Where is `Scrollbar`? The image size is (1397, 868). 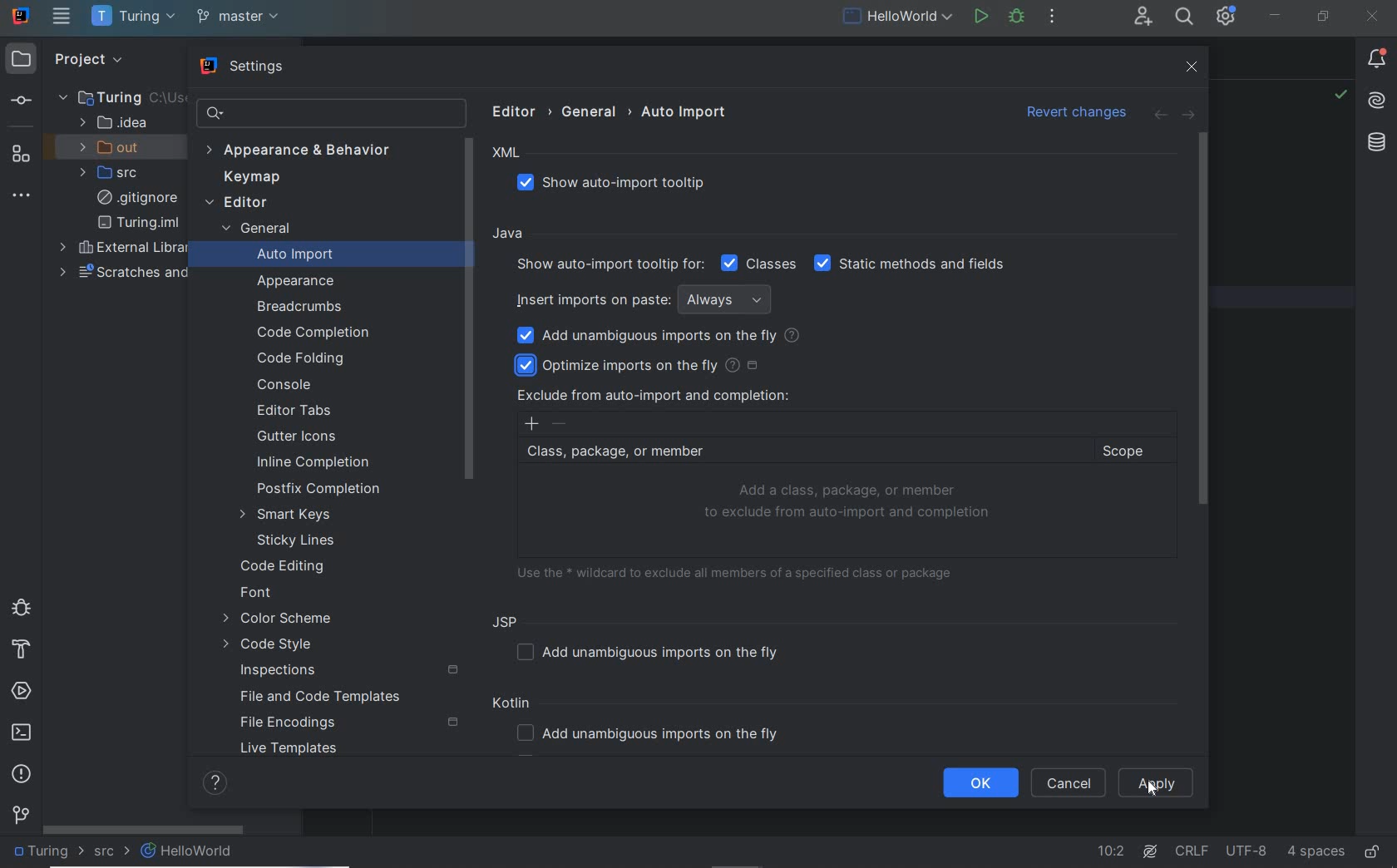
Scrollbar is located at coordinates (469, 307).